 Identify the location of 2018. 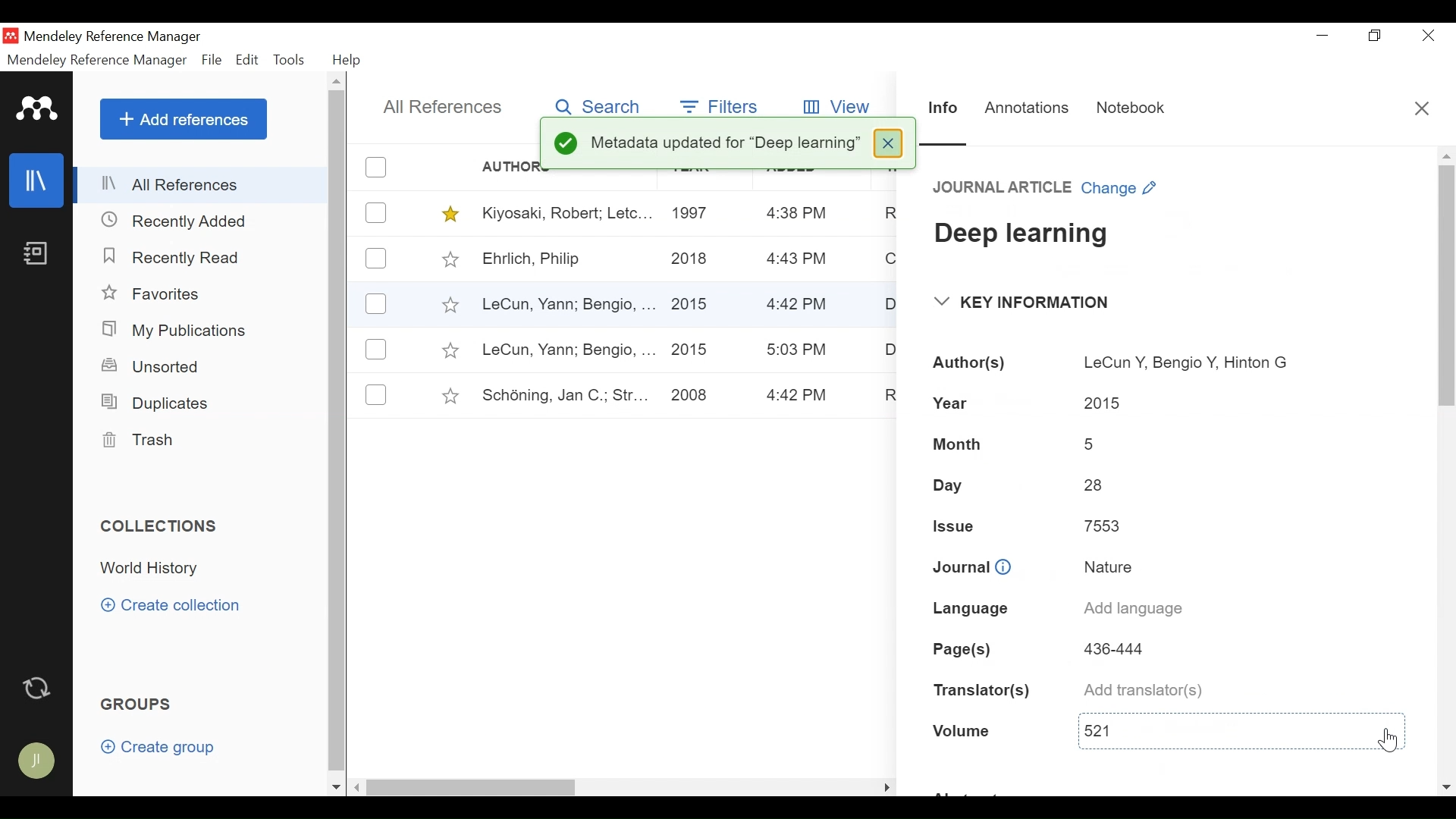
(691, 260).